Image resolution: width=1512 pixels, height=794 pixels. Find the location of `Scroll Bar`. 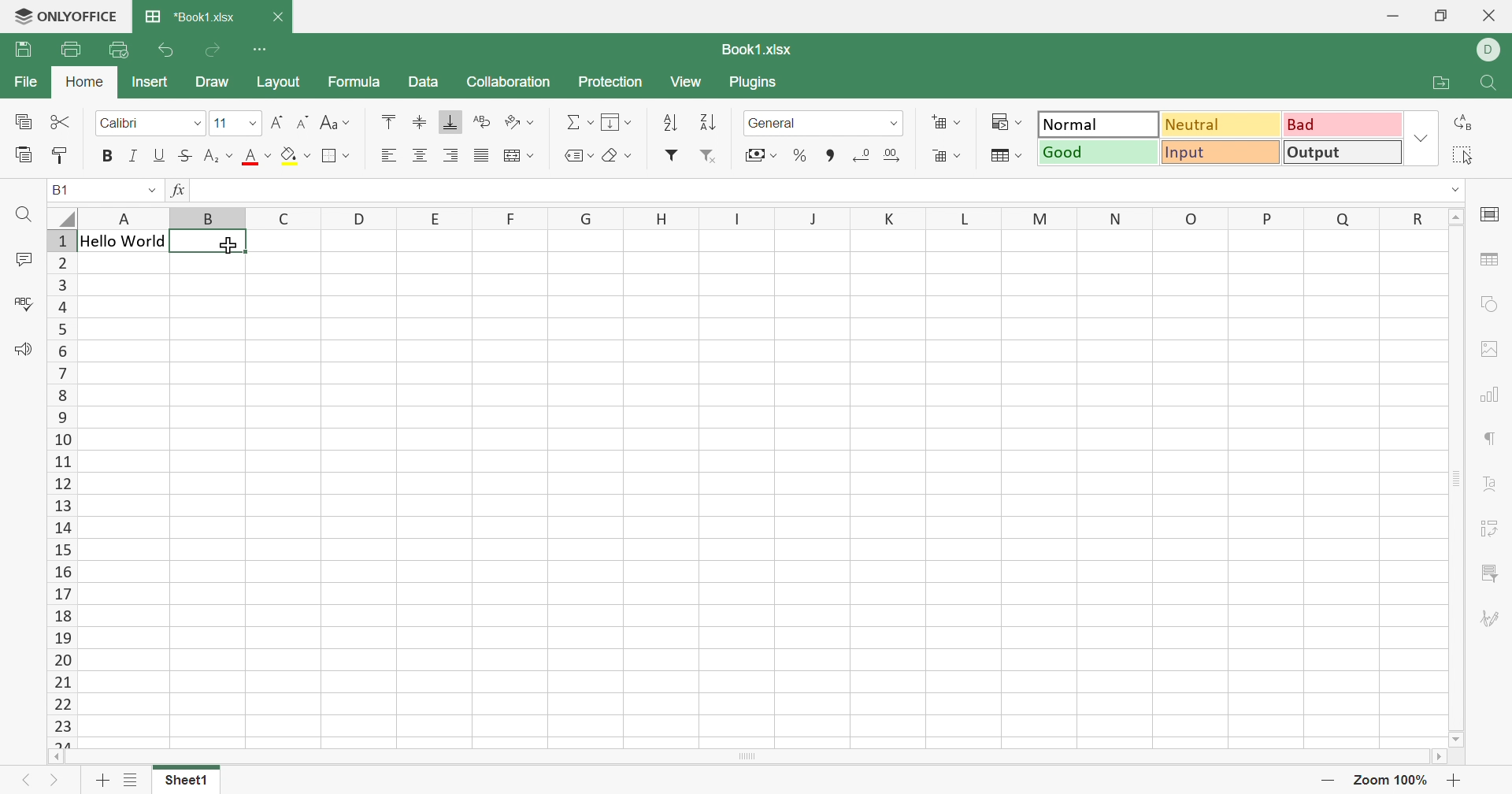

Scroll Bar is located at coordinates (744, 756).